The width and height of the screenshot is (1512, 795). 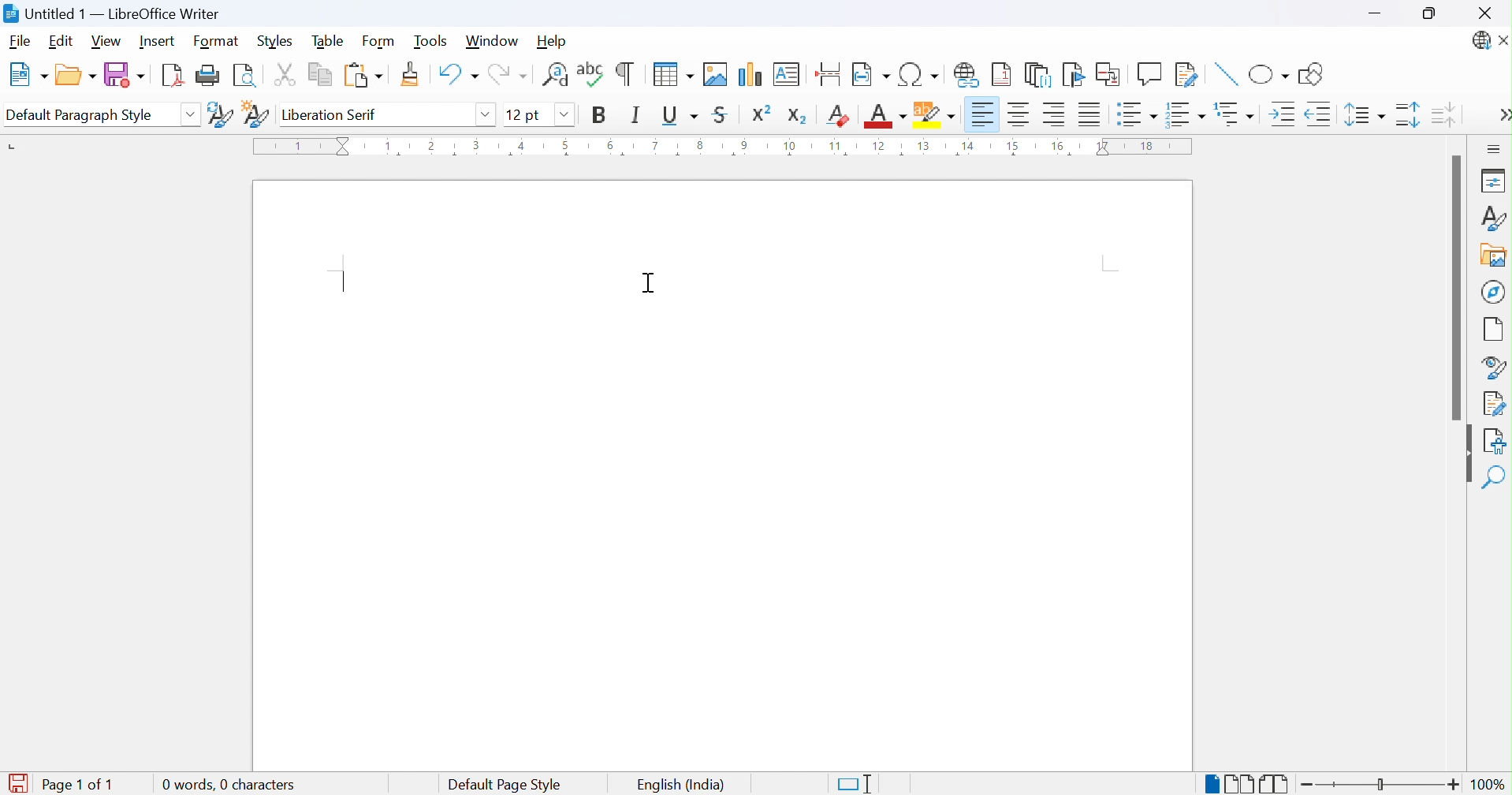 What do you see at coordinates (1492, 291) in the screenshot?
I see `Navigator` at bounding box center [1492, 291].